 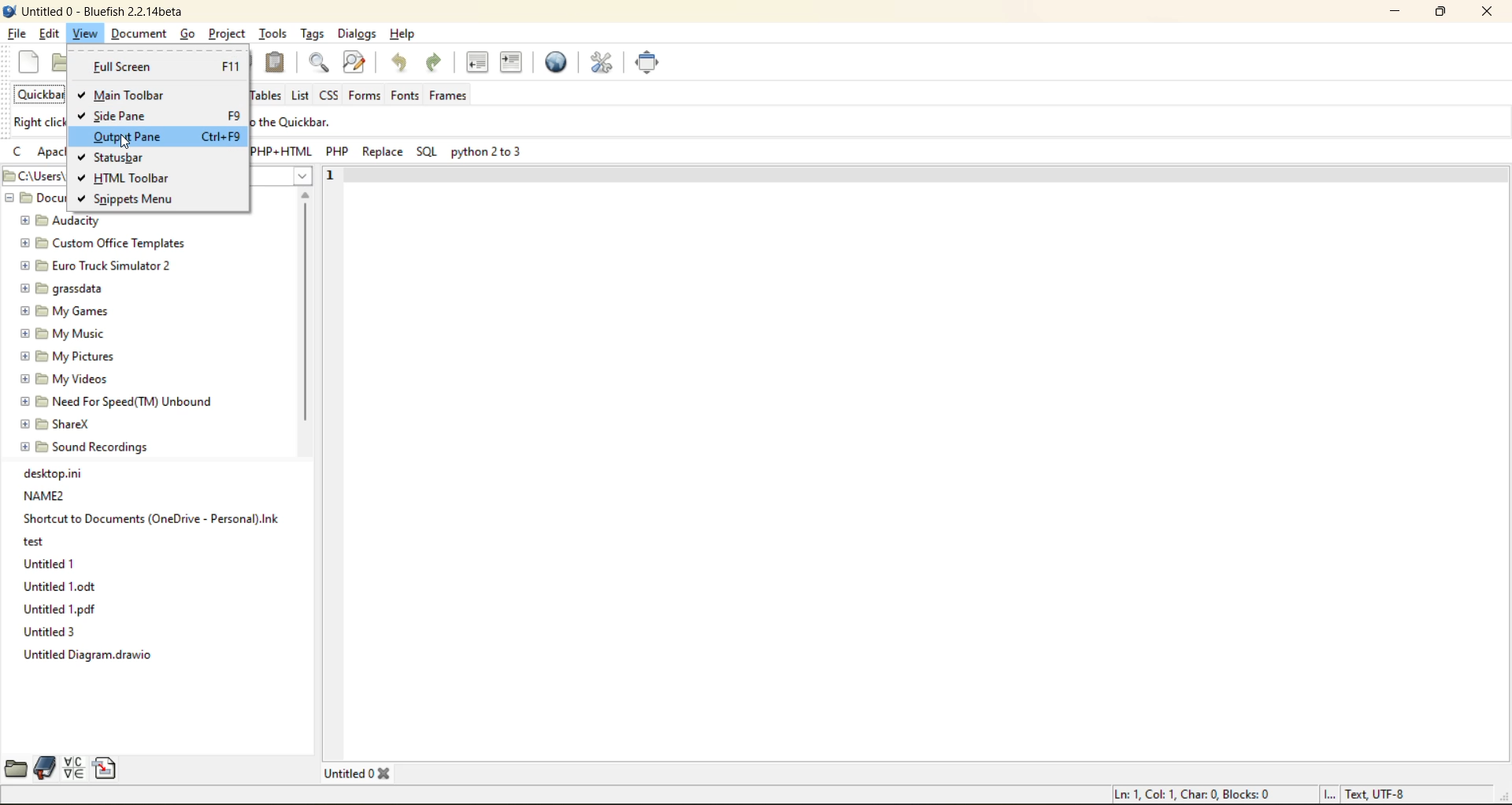 I want to click on find and replace, so click(x=359, y=65).